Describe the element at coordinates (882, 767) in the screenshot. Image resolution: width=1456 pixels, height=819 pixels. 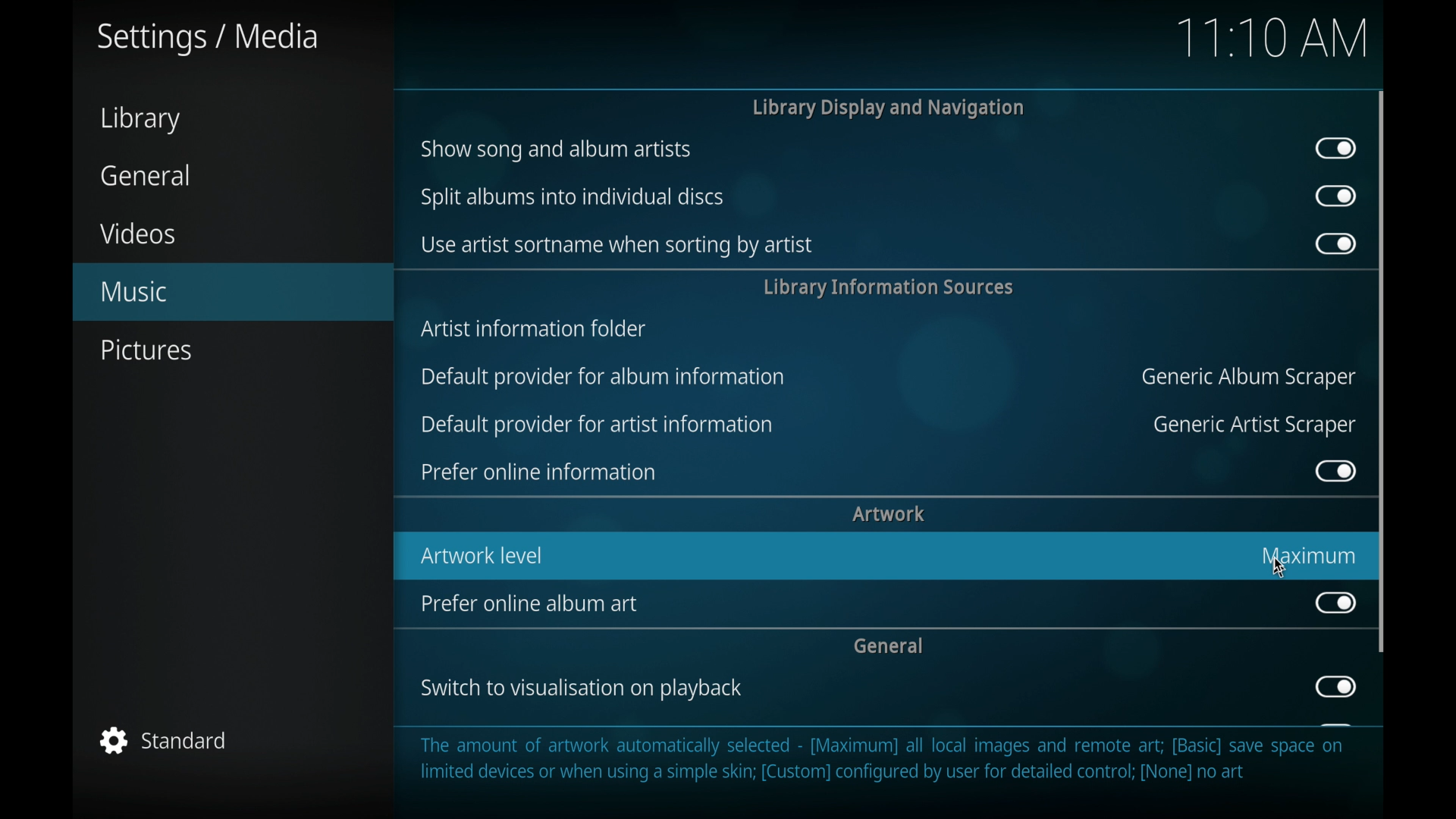
I see `The amount of artwork automatically selected - [Maximum] all local images and remote art; [Basic] save space on
limited devices or when using a simple skin; [Custom] configured by user for detailed control; [None] no art` at that location.